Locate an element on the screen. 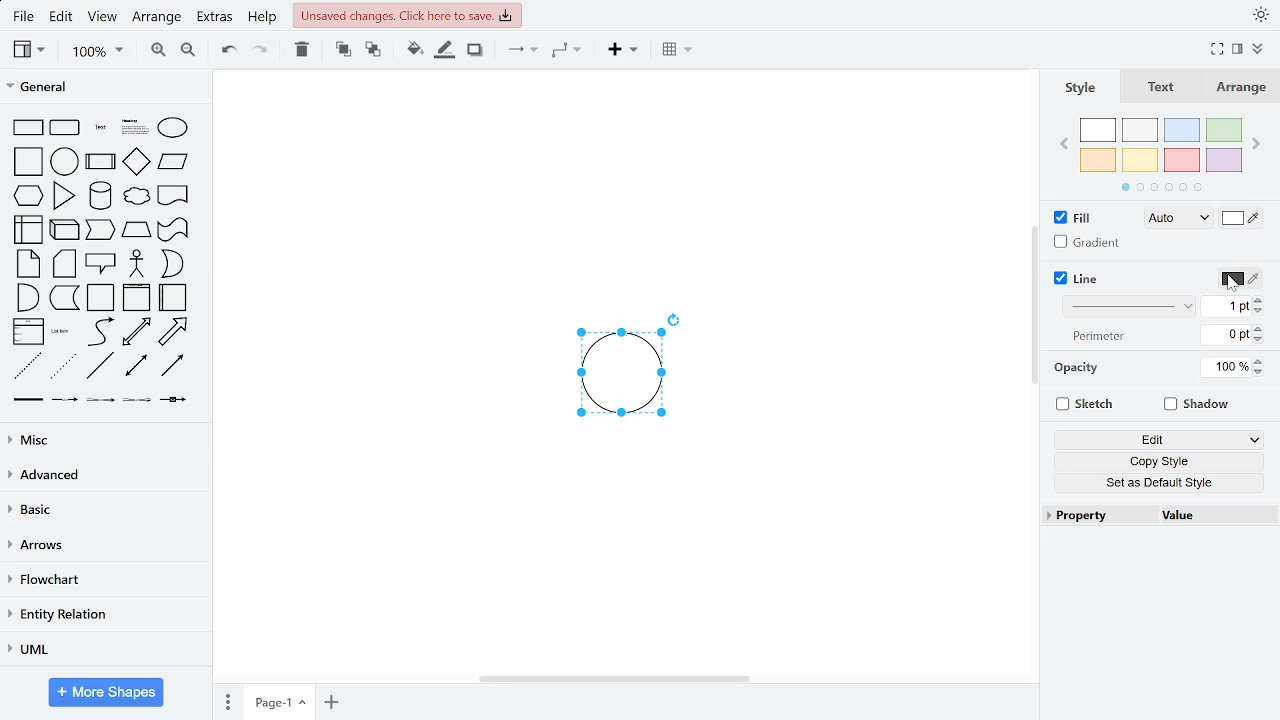 This screenshot has width=1280, height=720. internal storage is located at coordinates (29, 230).